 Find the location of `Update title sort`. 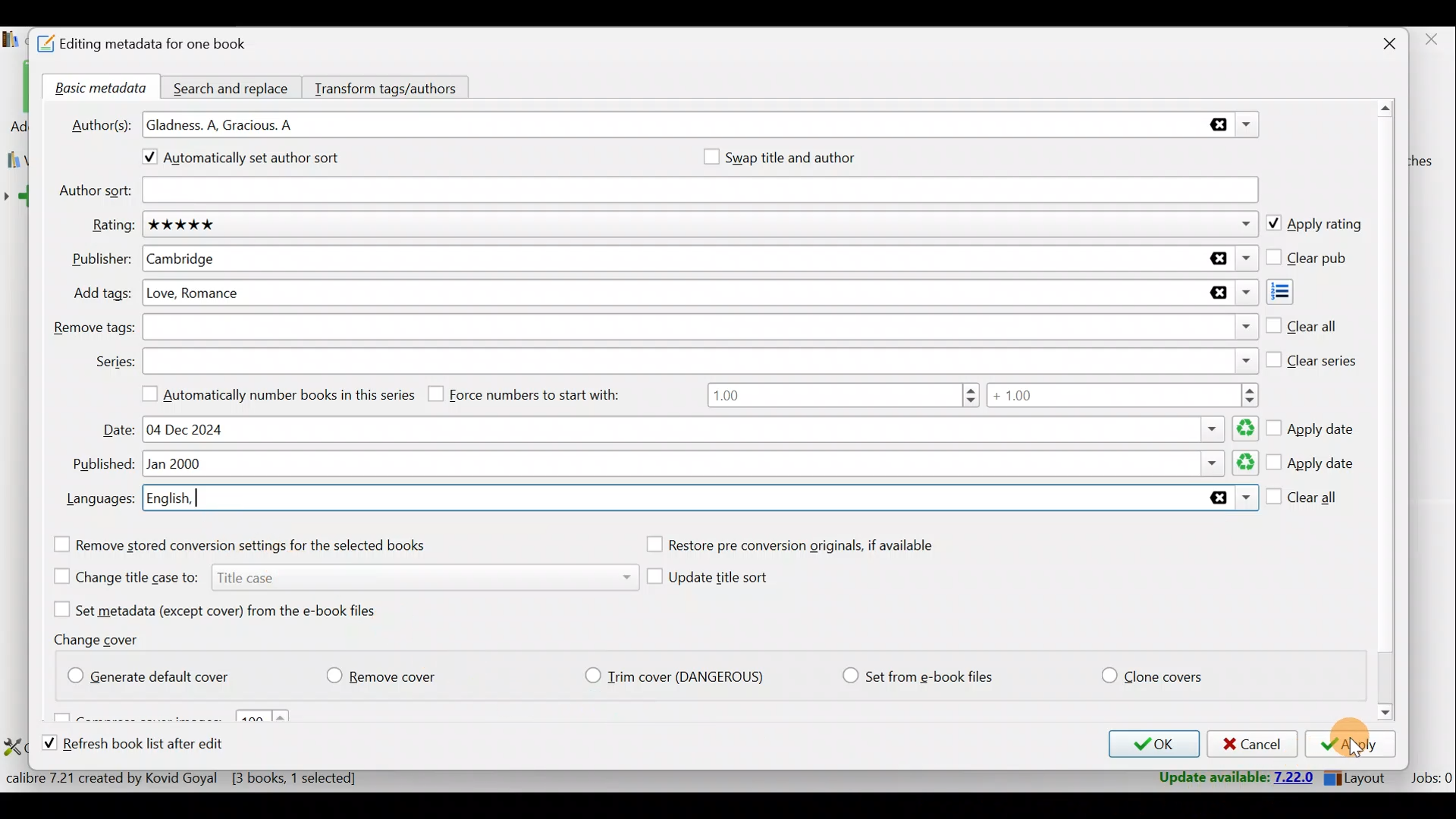

Update title sort is located at coordinates (722, 580).